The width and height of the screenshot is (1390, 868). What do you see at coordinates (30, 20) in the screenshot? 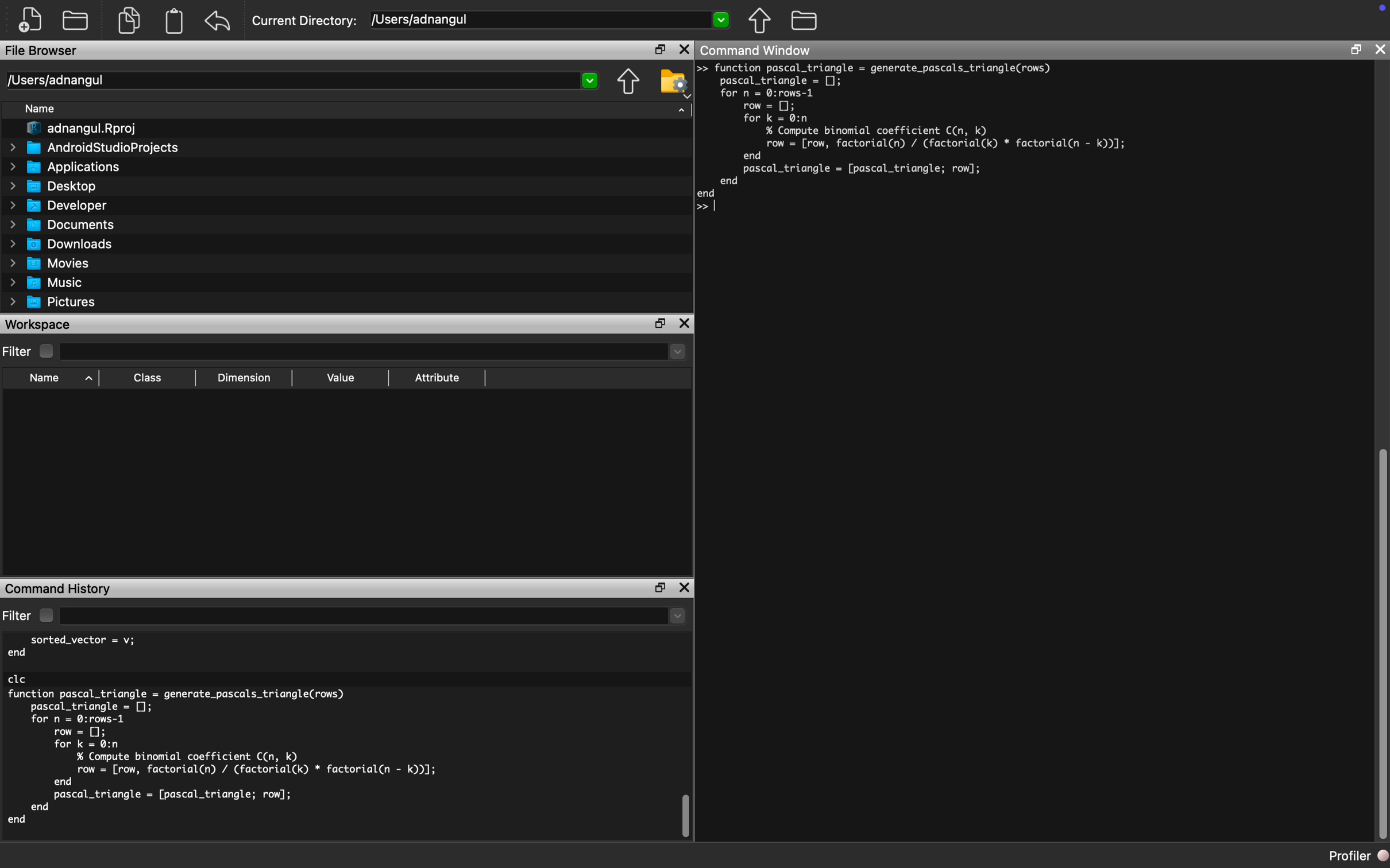
I see `New Document` at bounding box center [30, 20].